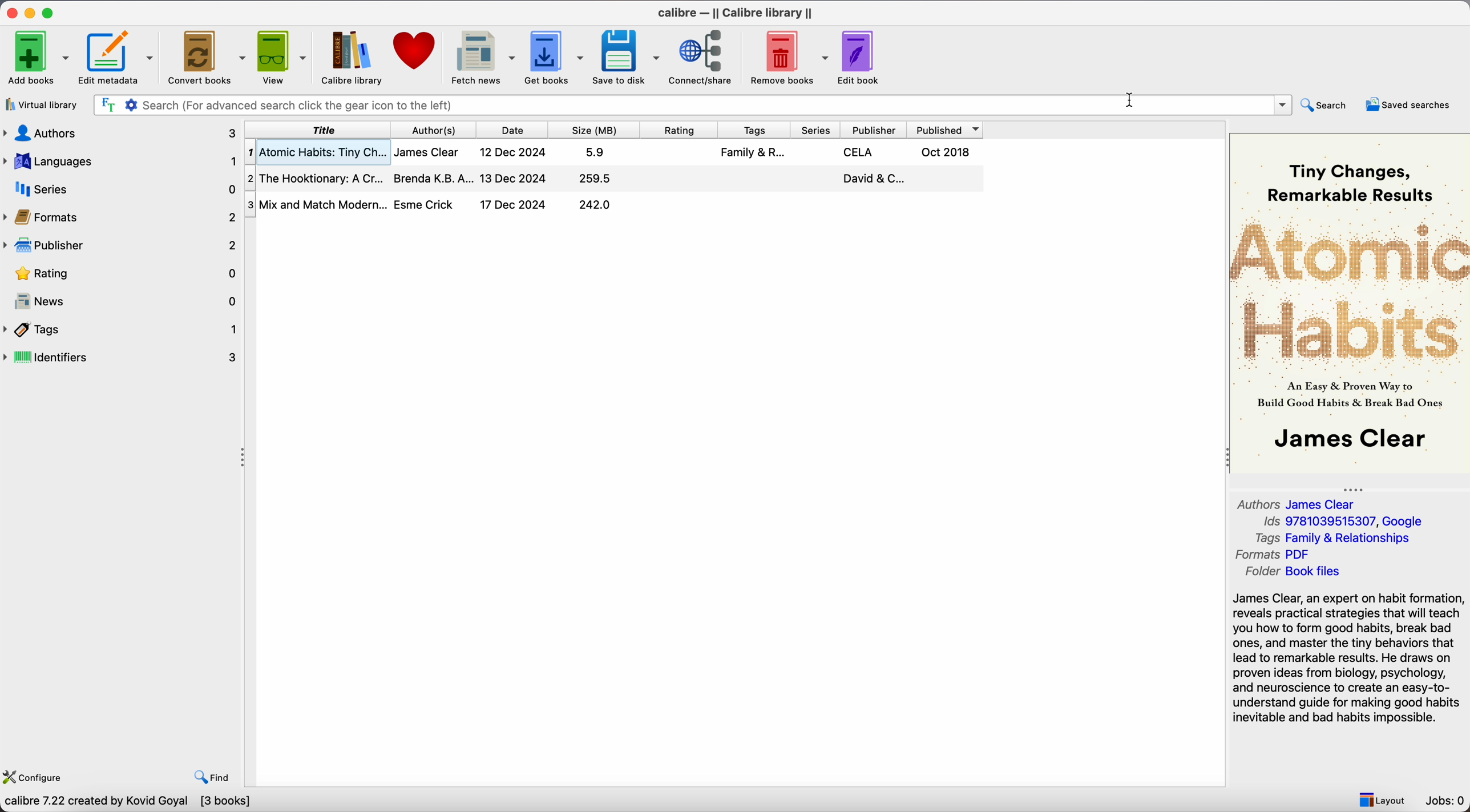 The height and width of the screenshot is (812, 1470). What do you see at coordinates (860, 56) in the screenshot?
I see `edit book` at bounding box center [860, 56].